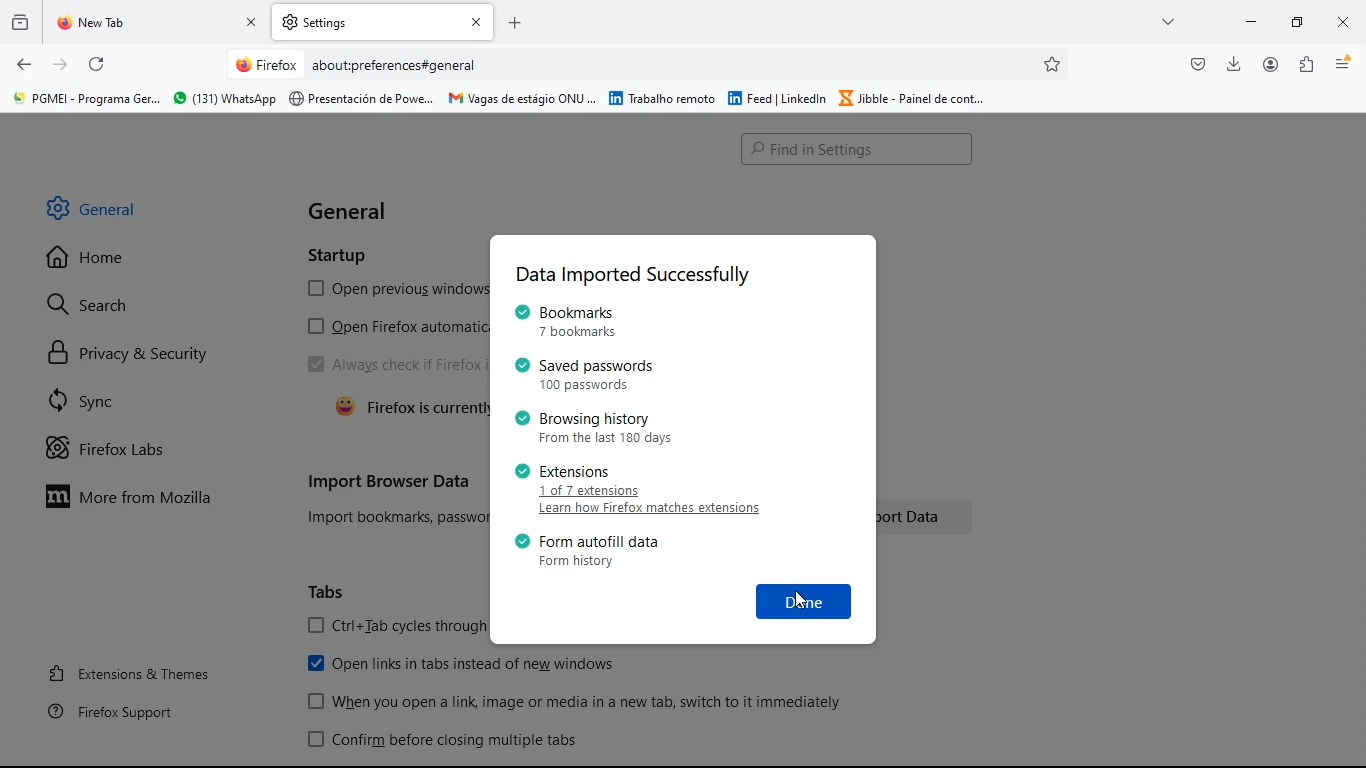  Describe the element at coordinates (390, 289) in the screenshot. I see `open previous windows and tabs` at that location.